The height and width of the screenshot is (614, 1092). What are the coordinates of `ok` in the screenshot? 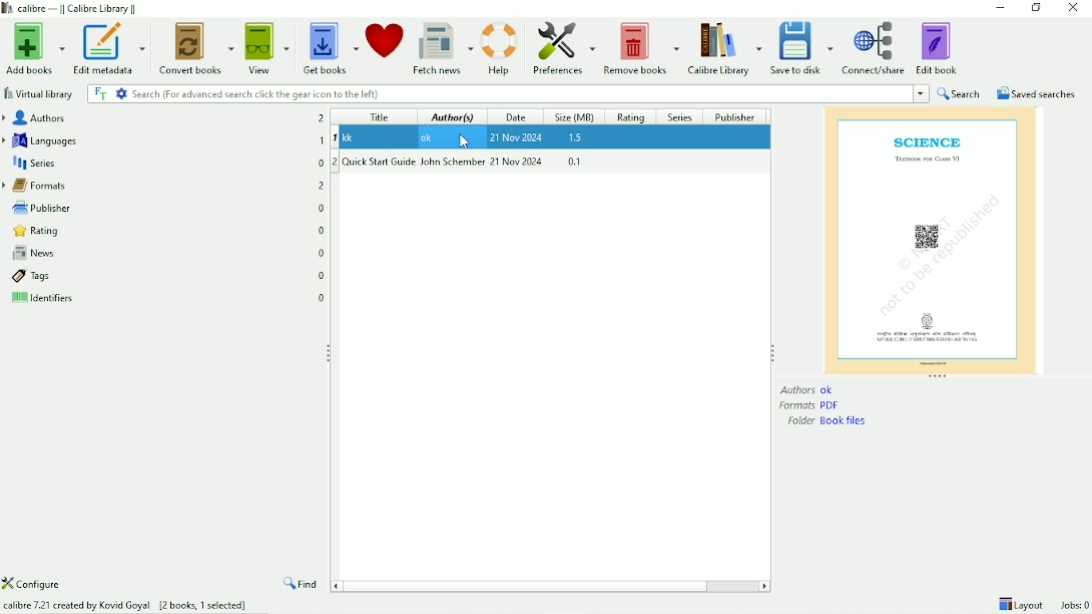 It's located at (552, 138).